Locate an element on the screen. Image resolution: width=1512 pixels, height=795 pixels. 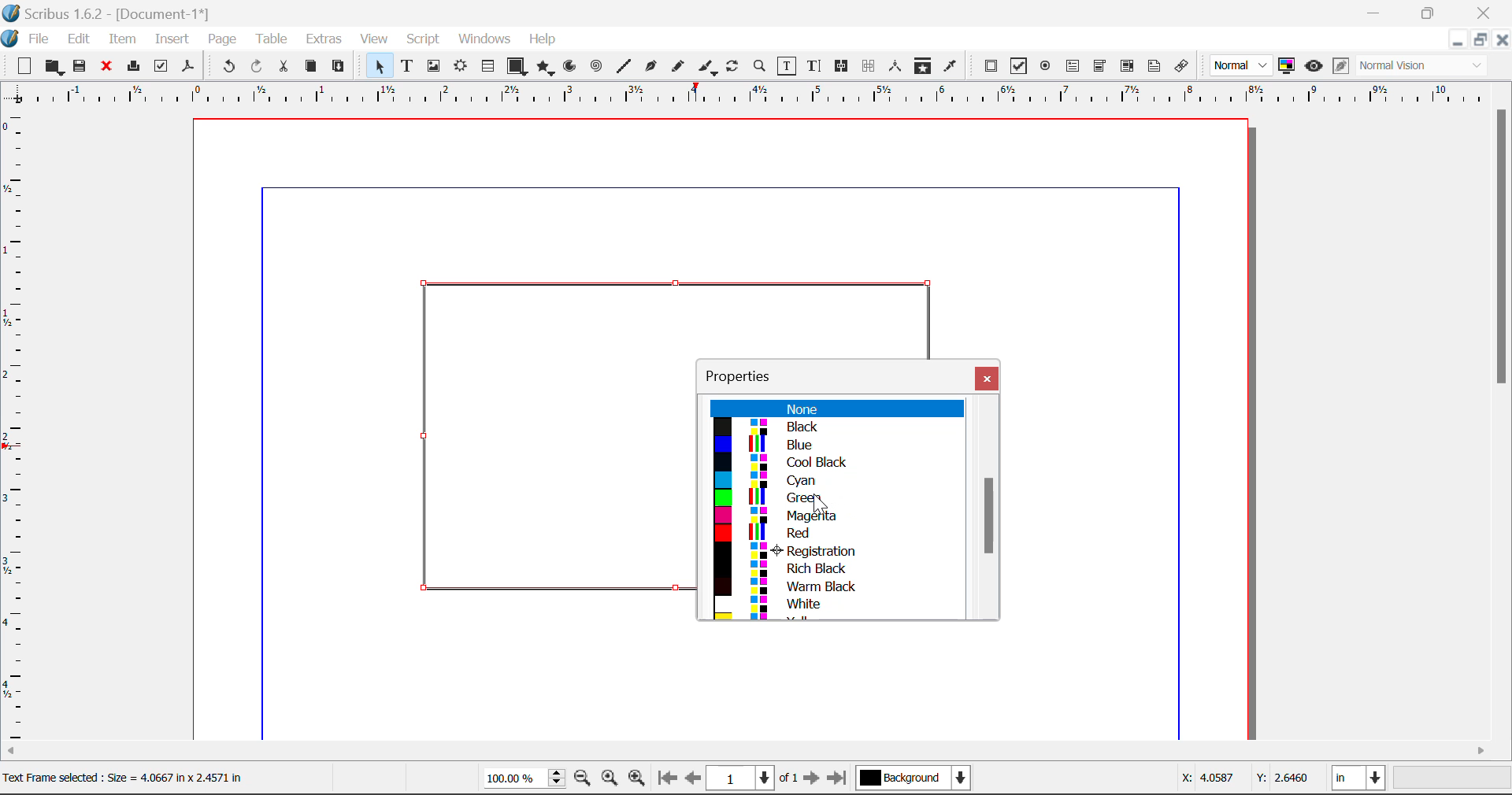
Undo is located at coordinates (226, 67).